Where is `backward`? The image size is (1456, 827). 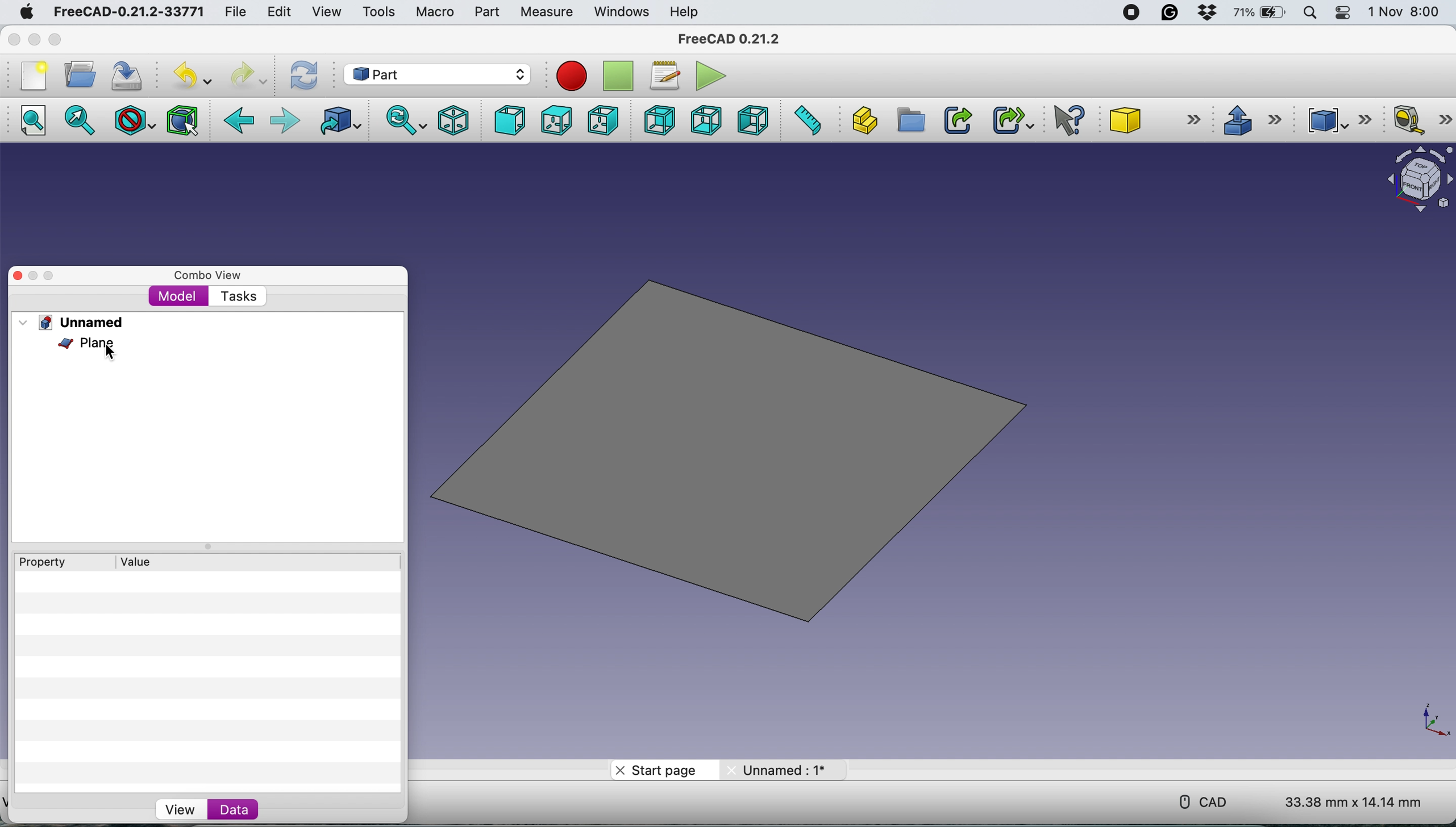
backward is located at coordinates (238, 120).